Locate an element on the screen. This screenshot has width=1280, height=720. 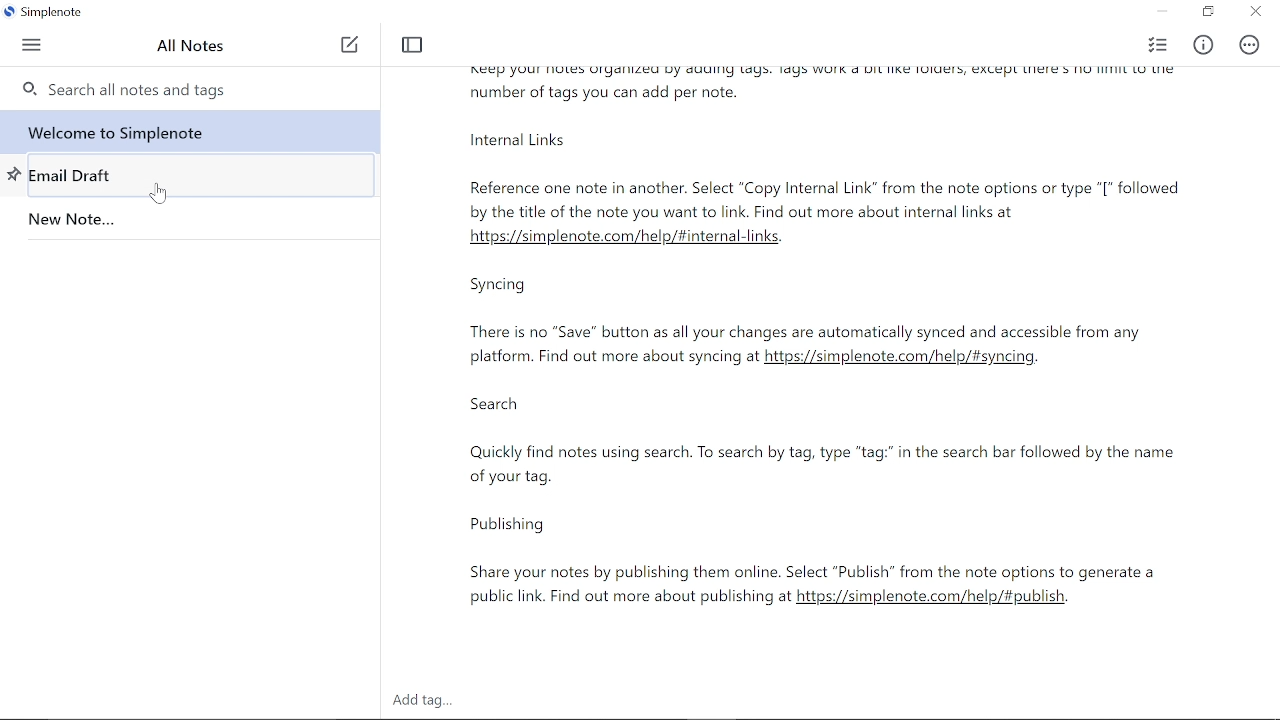
Note titled "Welcome to simplenote" is located at coordinates (194, 131).